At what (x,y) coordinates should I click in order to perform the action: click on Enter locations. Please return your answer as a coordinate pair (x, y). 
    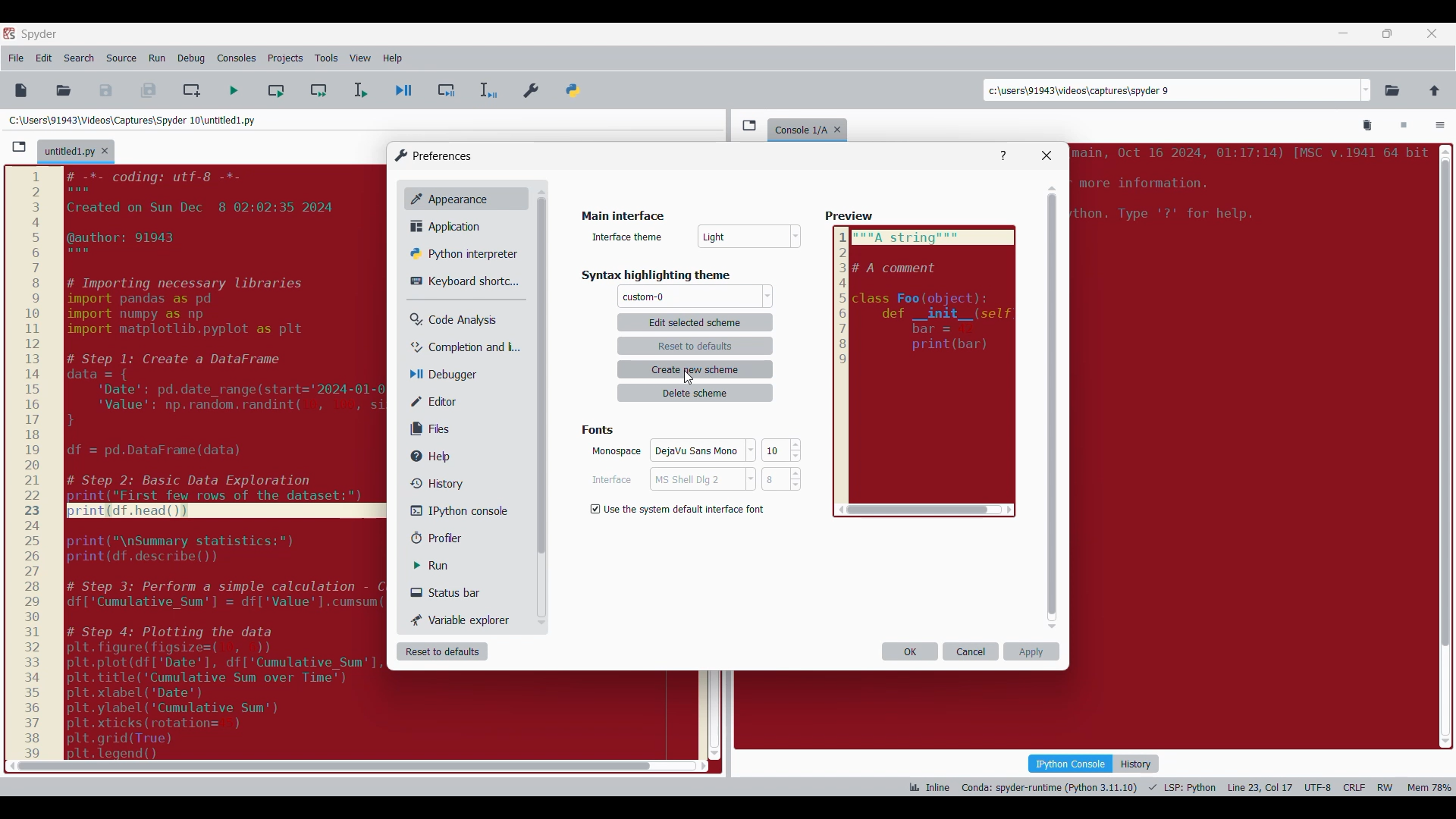
    Looking at the image, I should click on (1171, 90).